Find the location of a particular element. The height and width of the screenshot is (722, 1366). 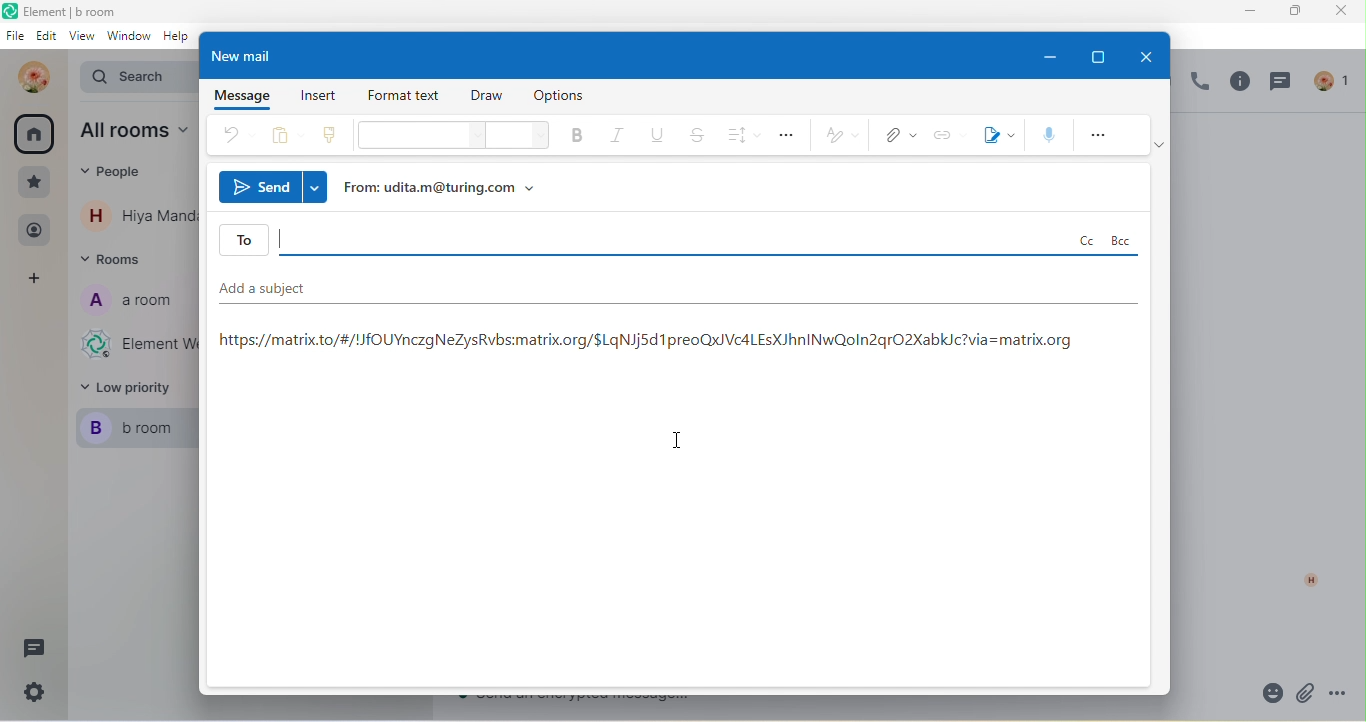

contact is located at coordinates (137, 215).